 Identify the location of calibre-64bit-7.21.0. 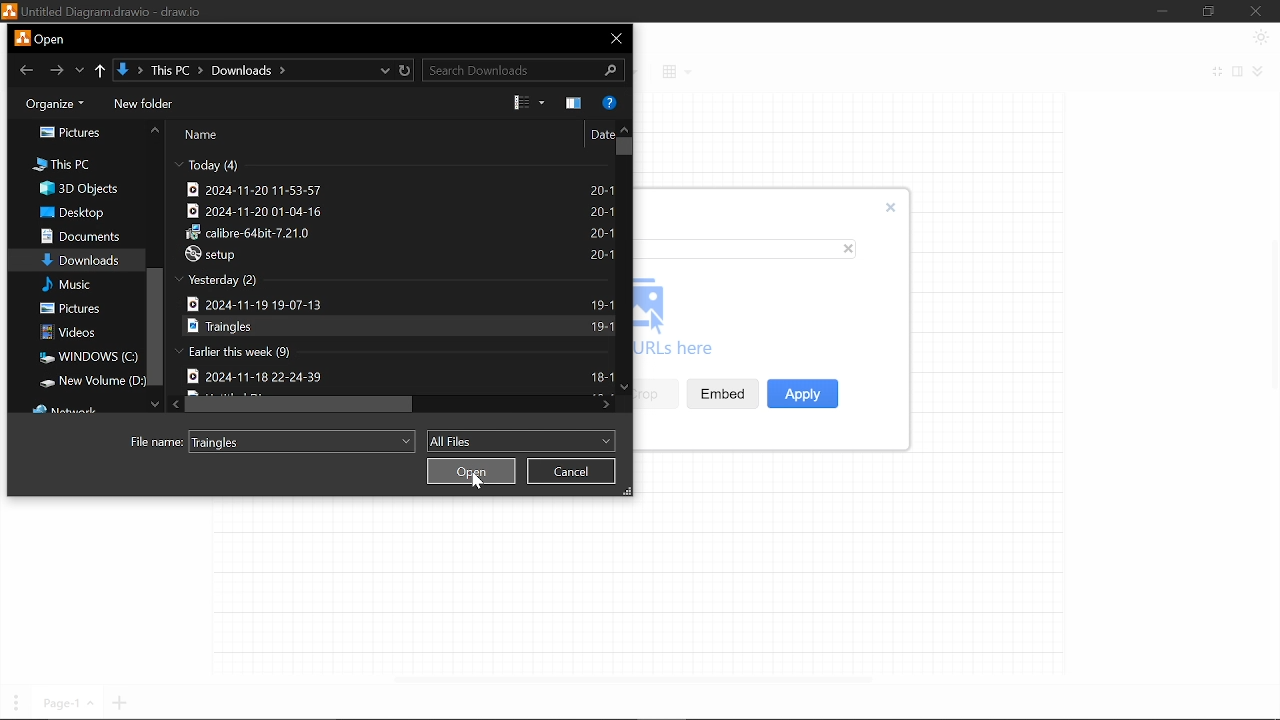
(249, 232).